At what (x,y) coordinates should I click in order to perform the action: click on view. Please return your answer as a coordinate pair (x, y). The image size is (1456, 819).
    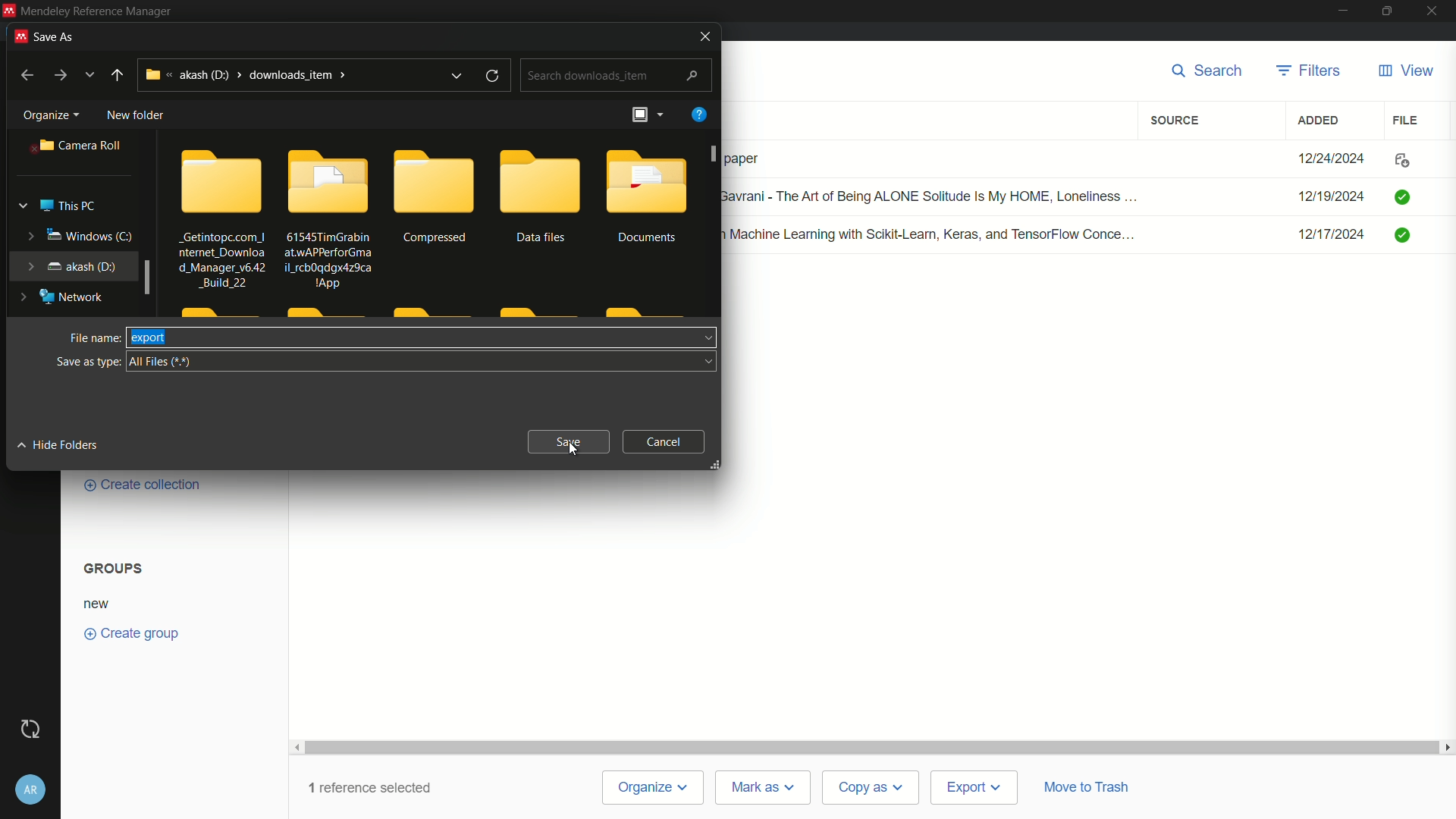
    Looking at the image, I should click on (1406, 71).